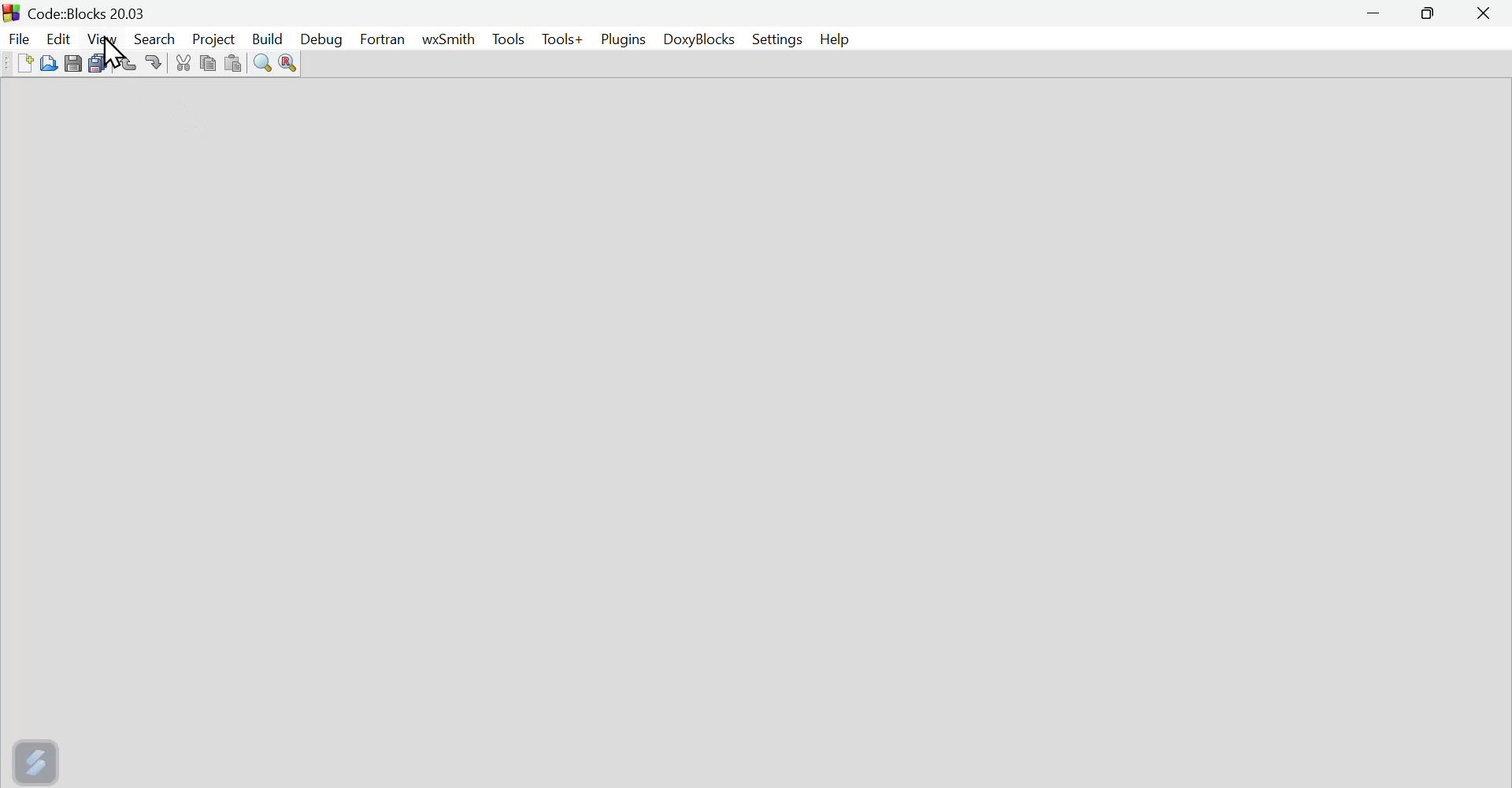  Describe the element at coordinates (264, 64) in the screenshot. I see `` at that location.